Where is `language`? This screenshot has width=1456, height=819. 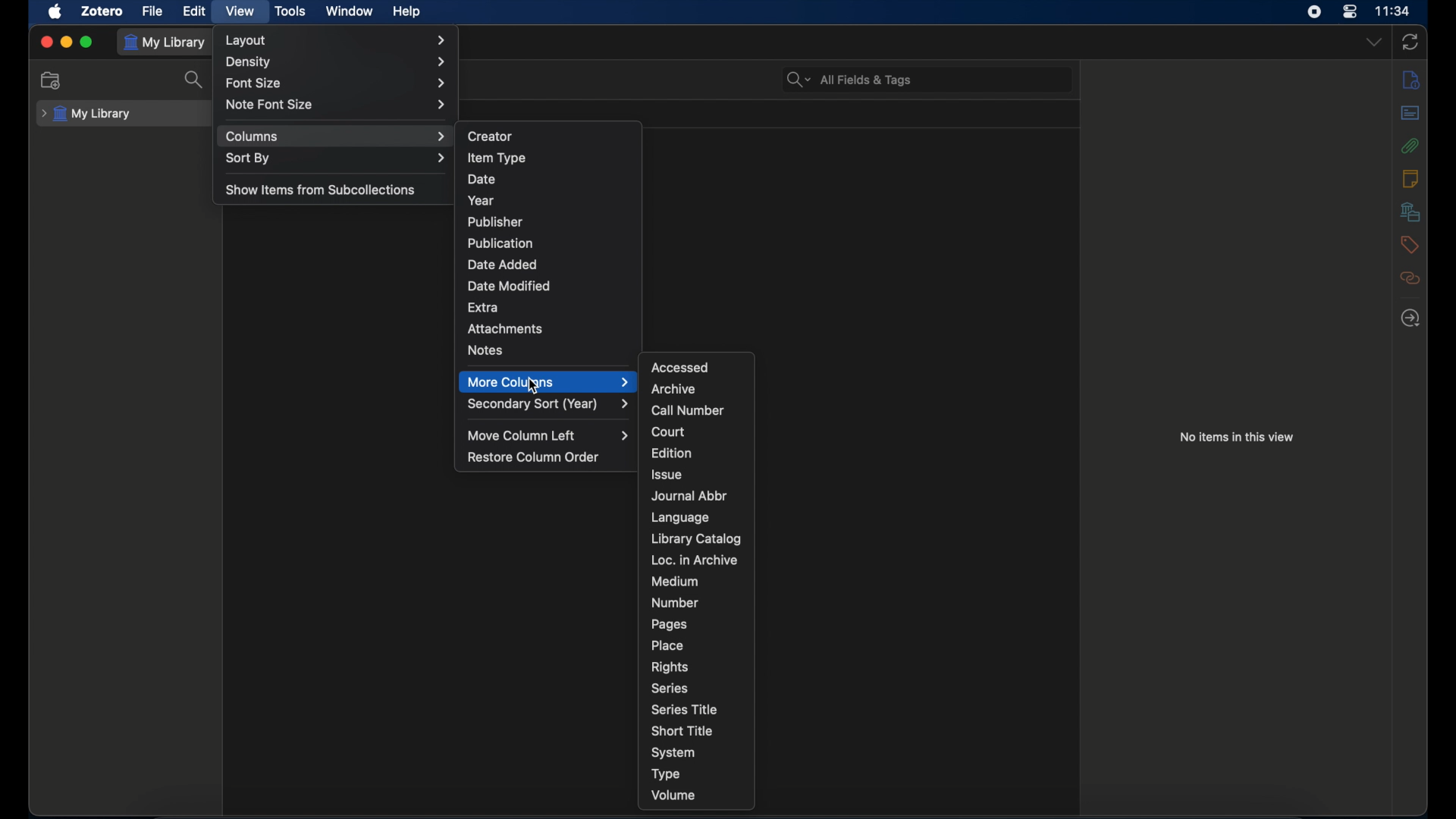 language is located at coordinates (679, 517).